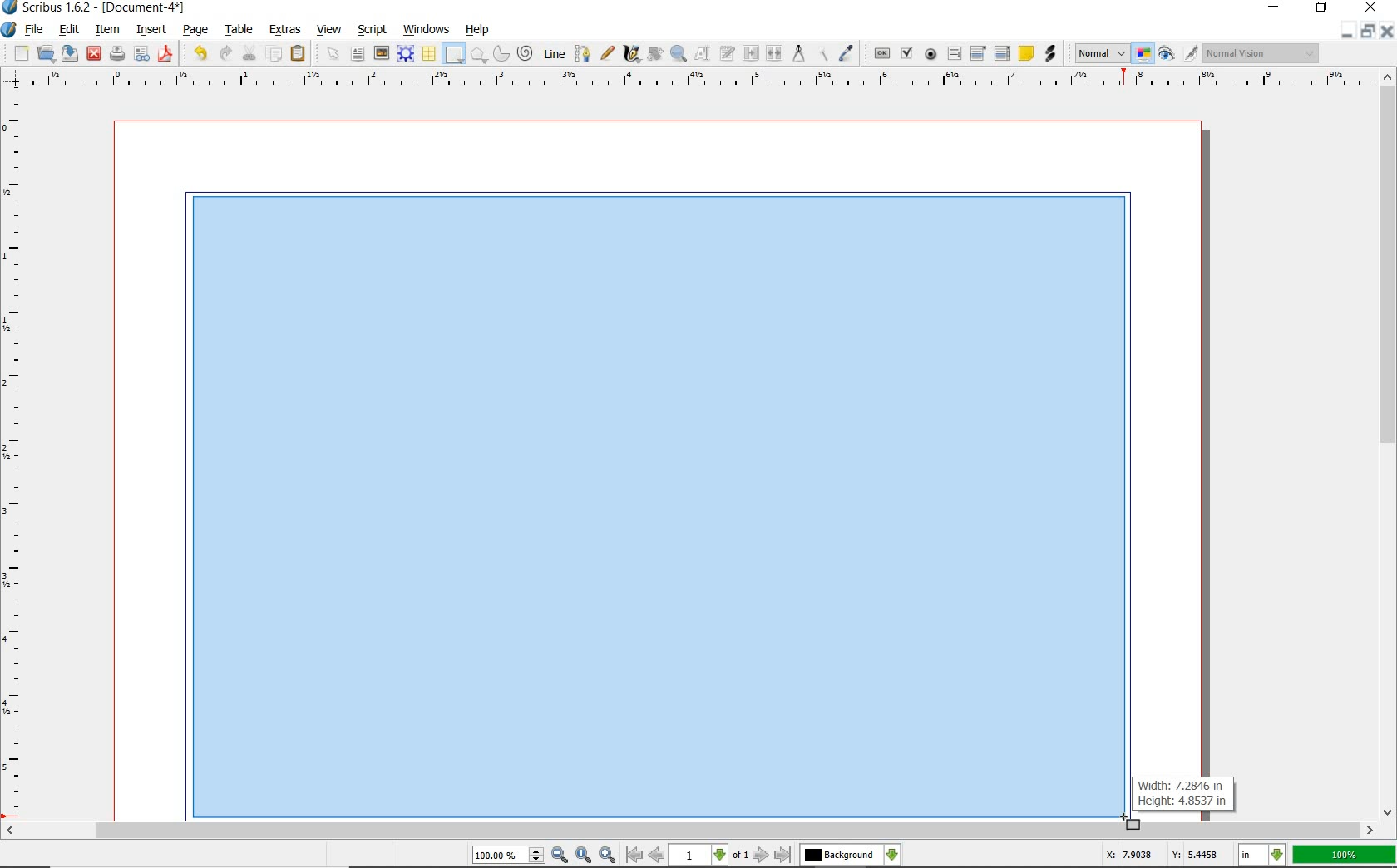  I want to click on pdf list box, so click(1002, 52).